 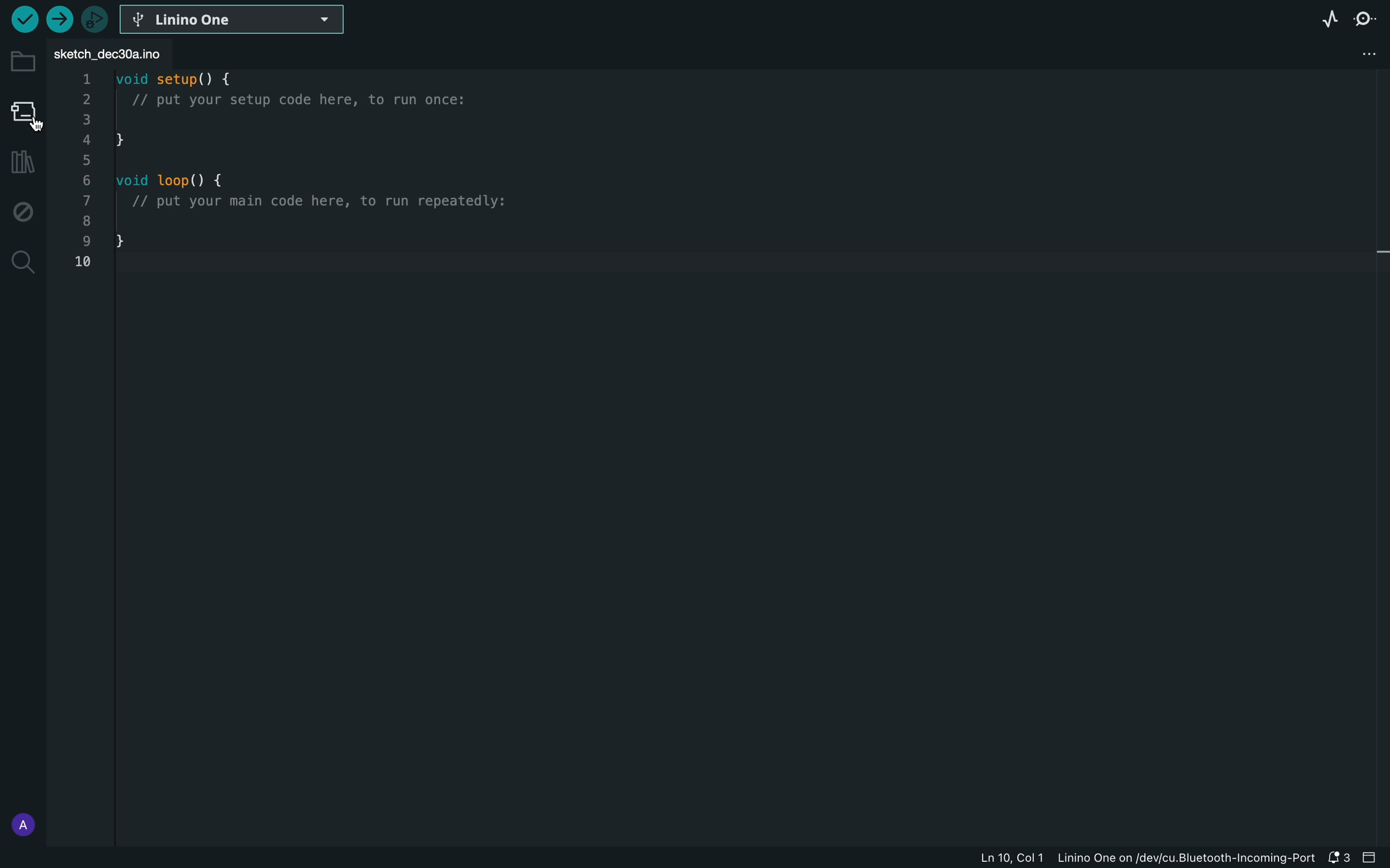 What do you see at coordinates (25, 125) in the screenshot?
I see `cursor` at bounding box center [25, 125].